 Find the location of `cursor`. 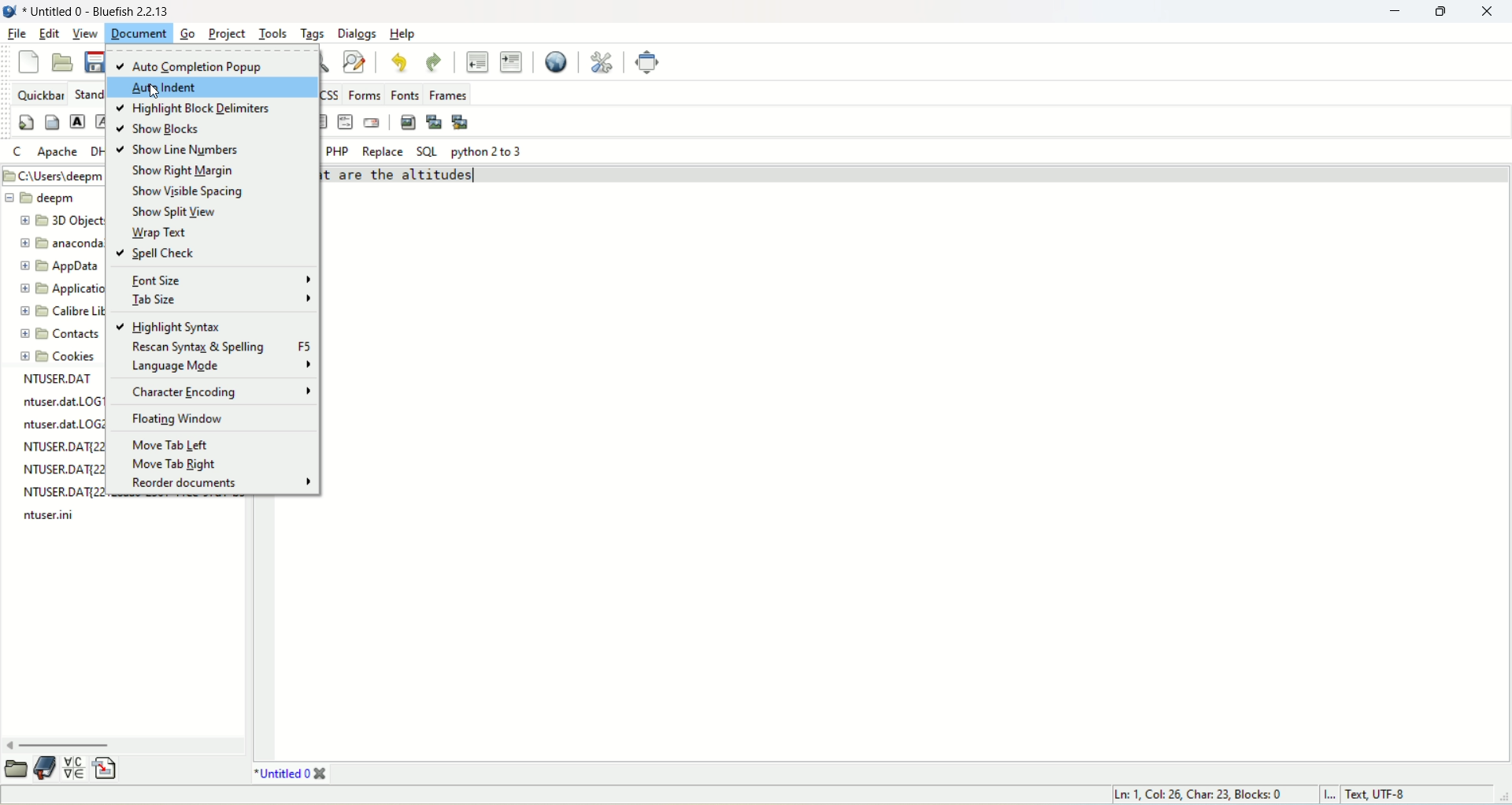

cursor is located at coordinates (154, 94).